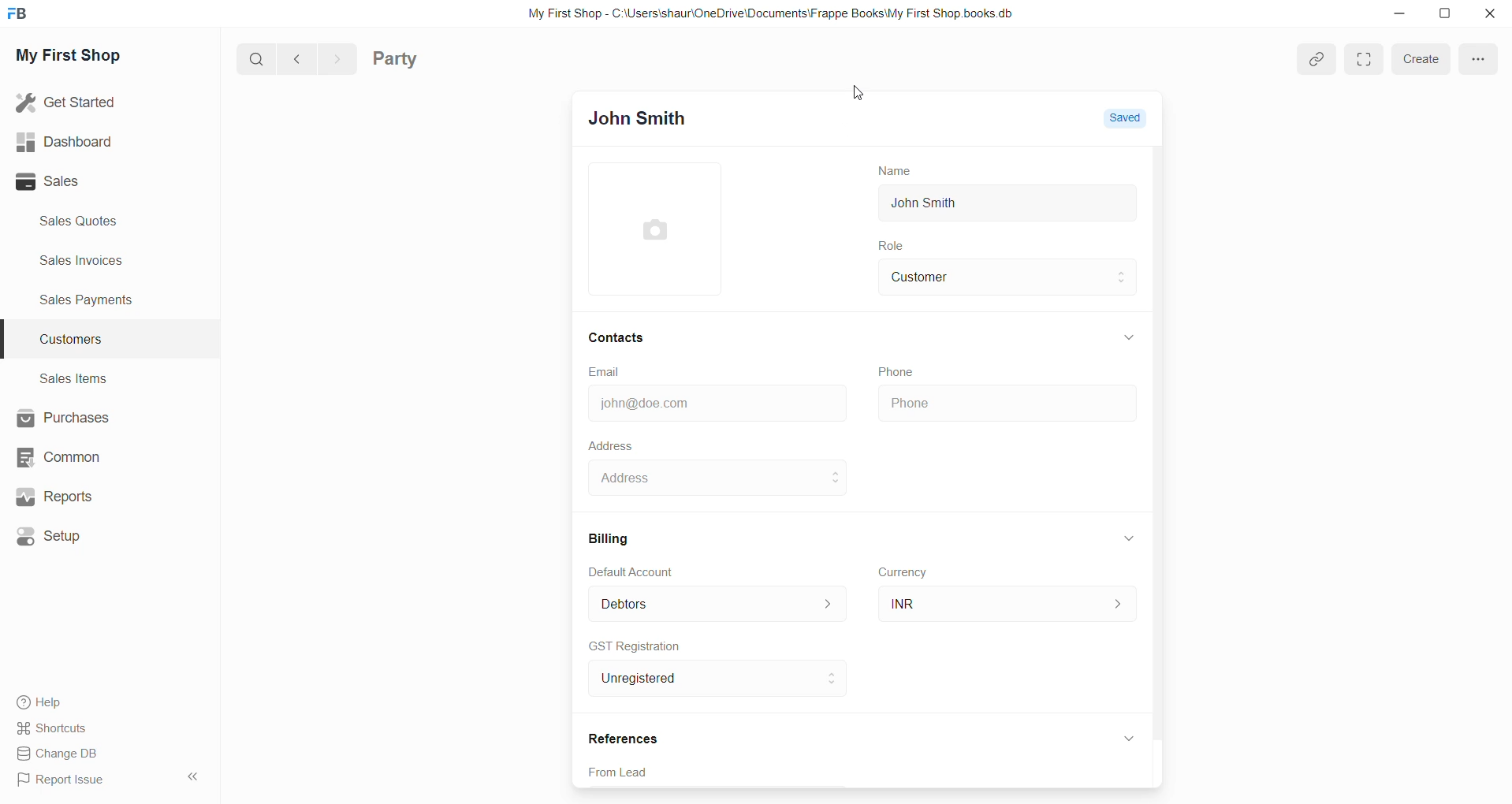  I want to click on move to above address, so click(835, 597).